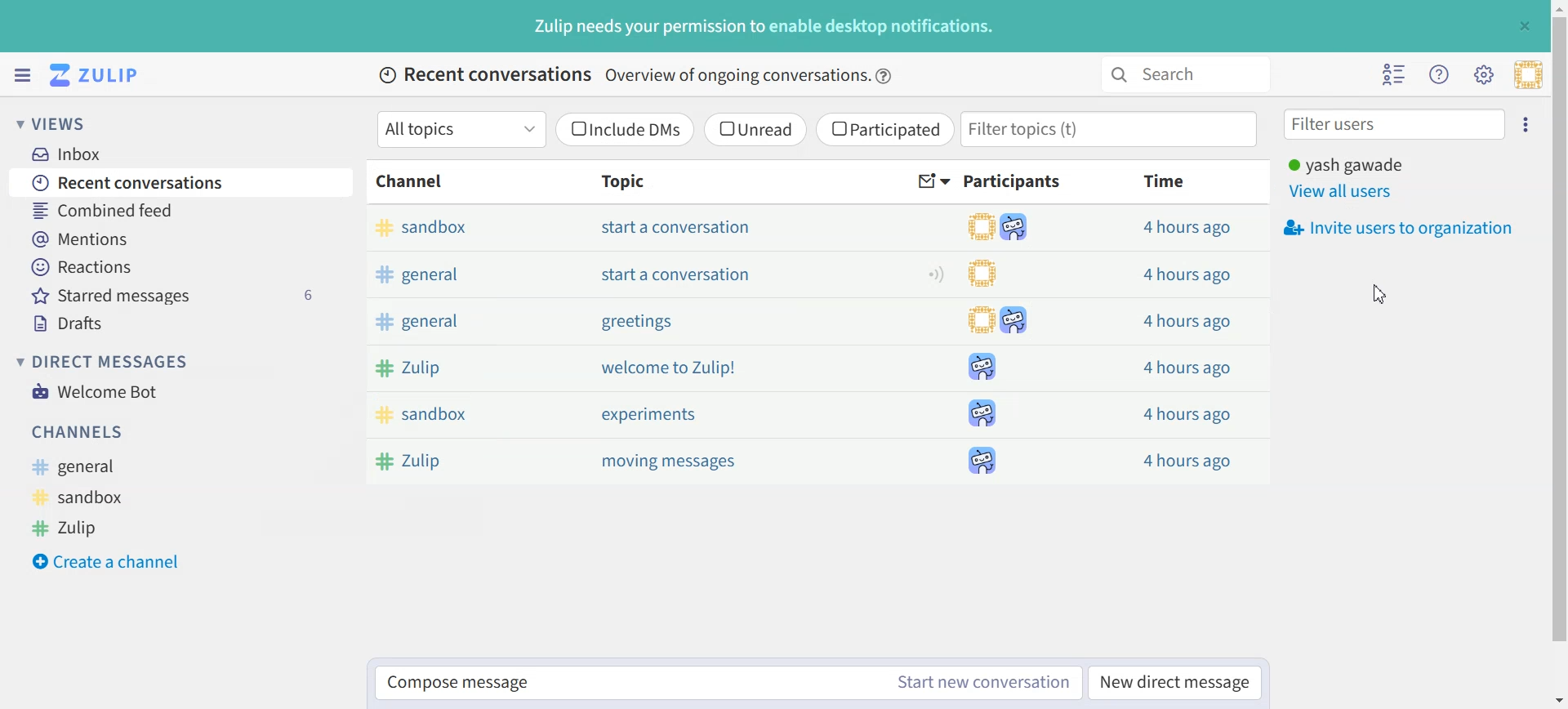 The width and height of the screenshot is (1568, 709). What do you see at coordinates (1483, 74) in the screenshot?
I see `Main menu` at bounding box center [1483, 74].